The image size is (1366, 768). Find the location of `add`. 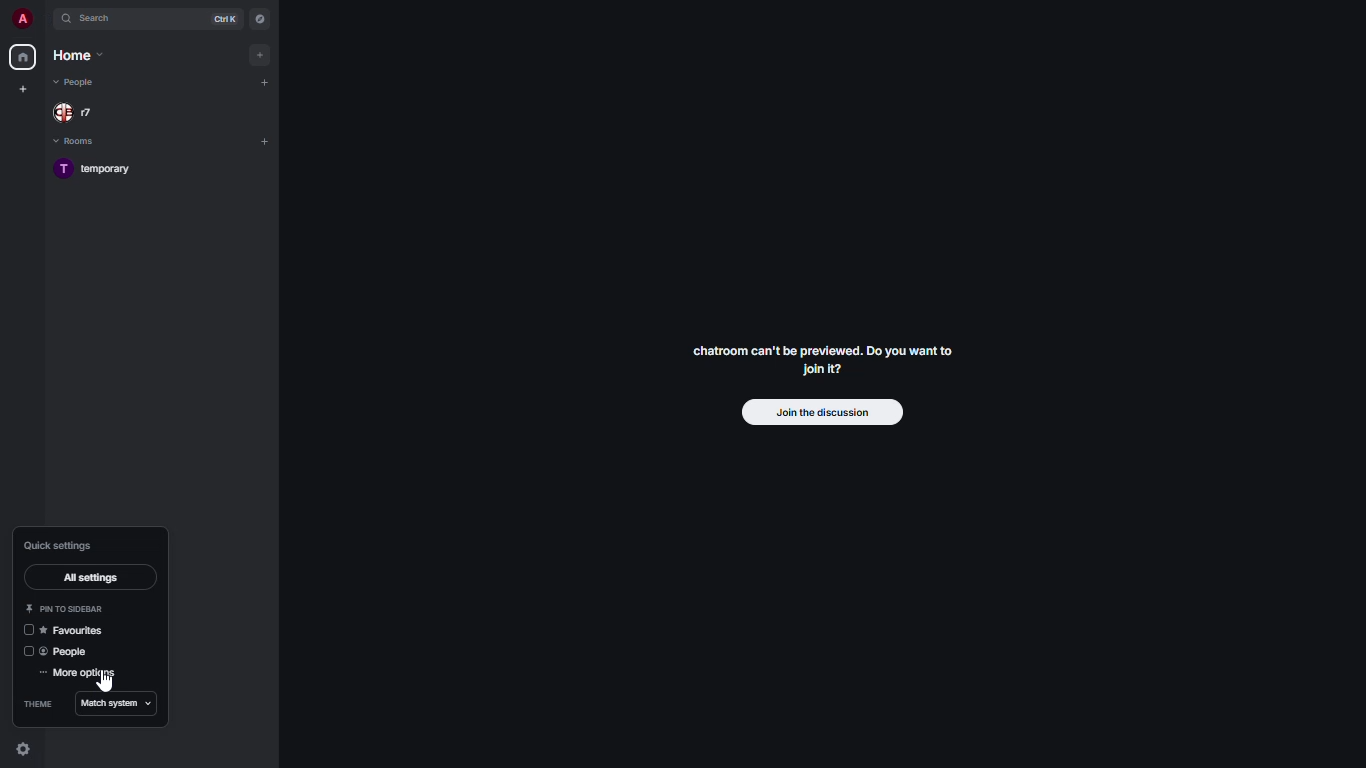

add is located at coordinates (267, 82).